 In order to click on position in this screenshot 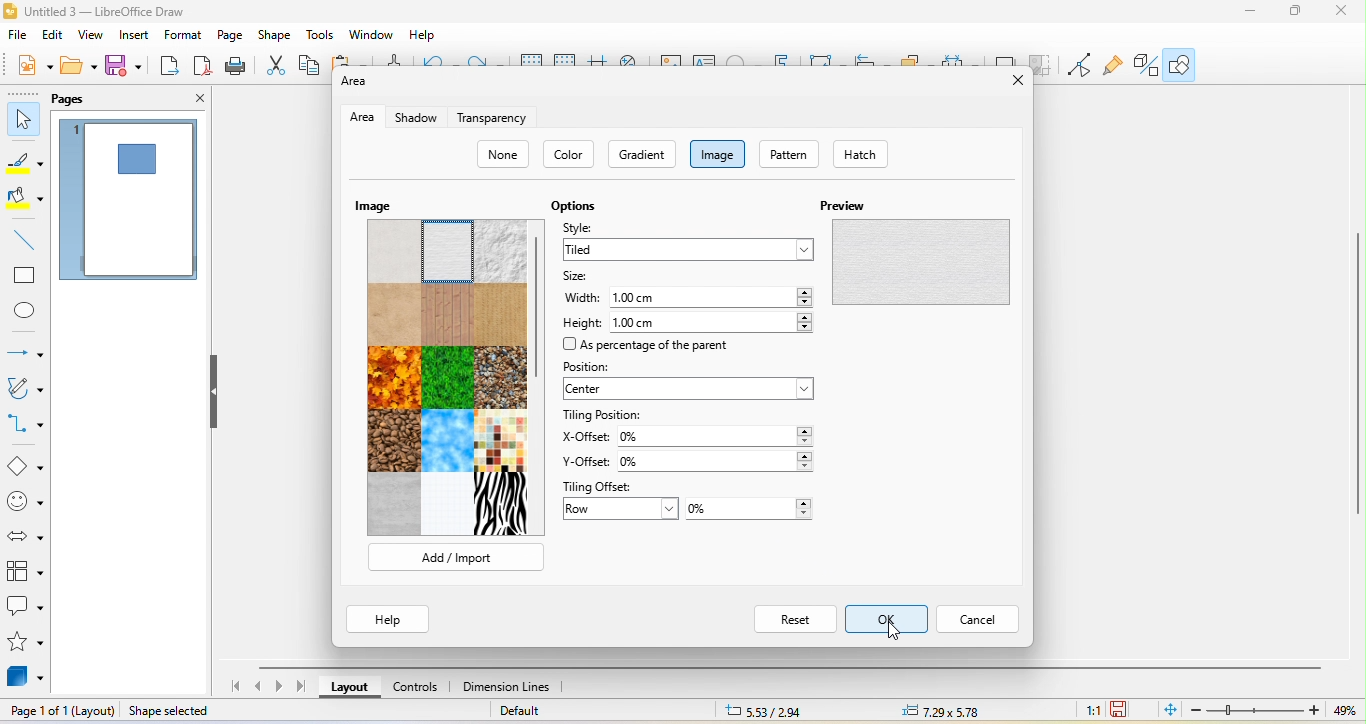, I will do `click(596, 365)`.